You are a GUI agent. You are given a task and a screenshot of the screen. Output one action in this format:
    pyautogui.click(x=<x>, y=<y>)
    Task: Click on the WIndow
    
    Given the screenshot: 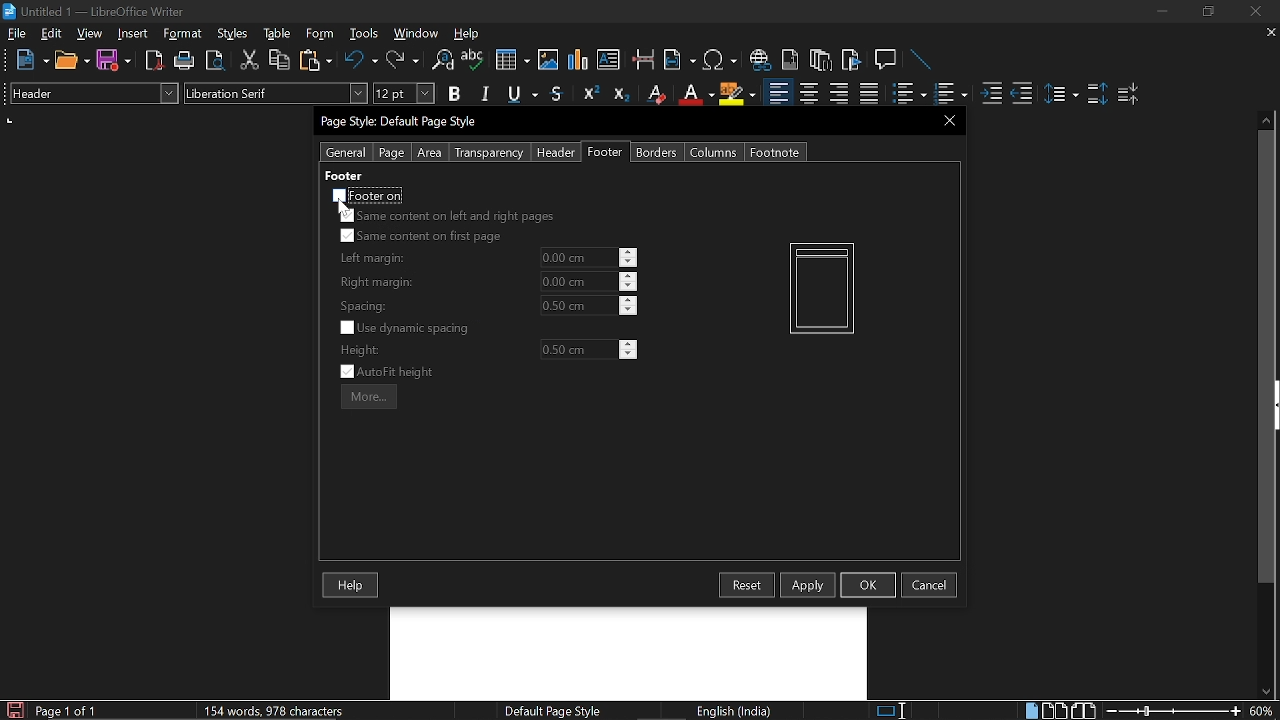 What is the action you would take?
    pyautogui.click(x=417, y=33)
    